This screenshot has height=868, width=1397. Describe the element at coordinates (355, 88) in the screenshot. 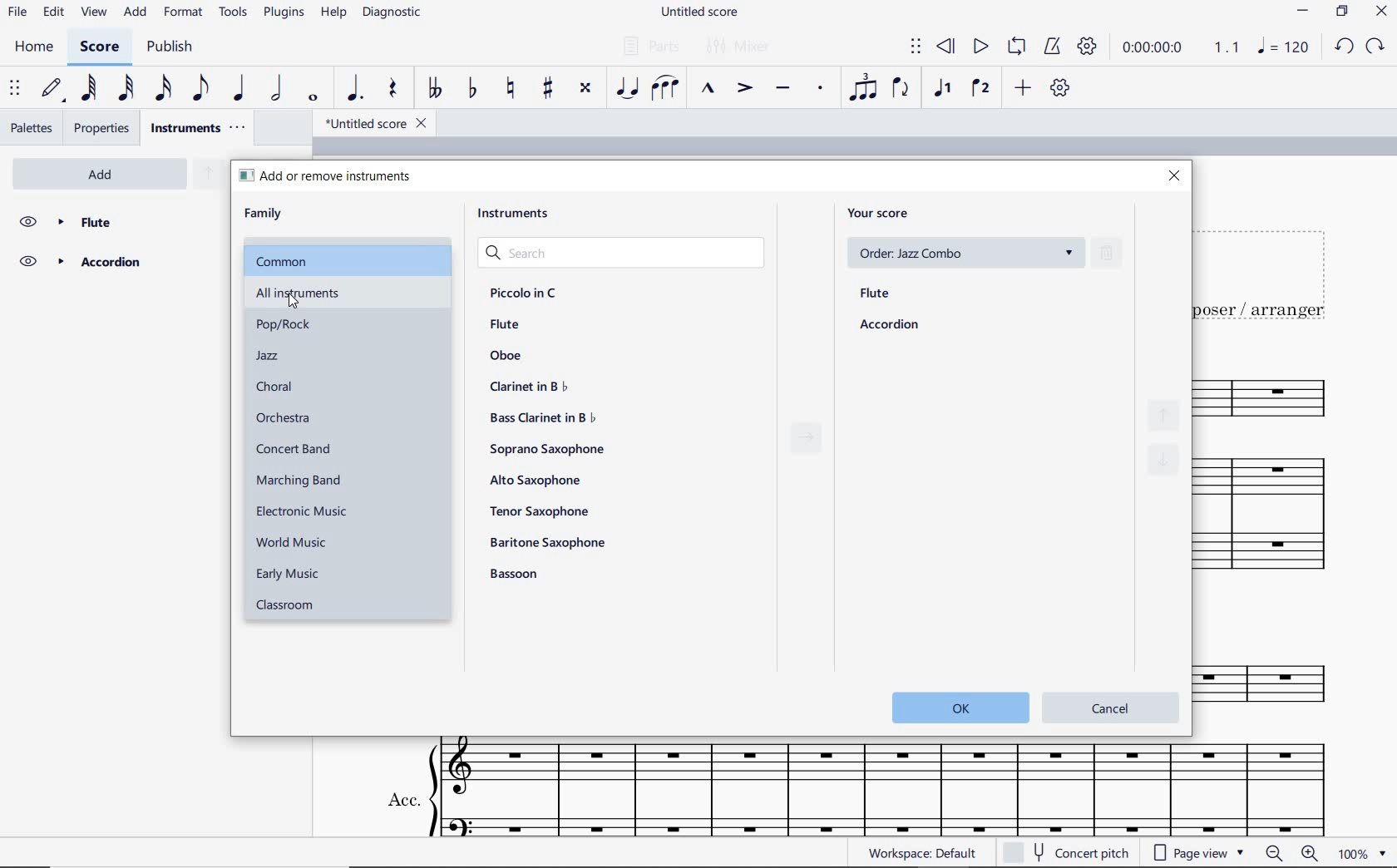

I see `augmentation dot` at that location.